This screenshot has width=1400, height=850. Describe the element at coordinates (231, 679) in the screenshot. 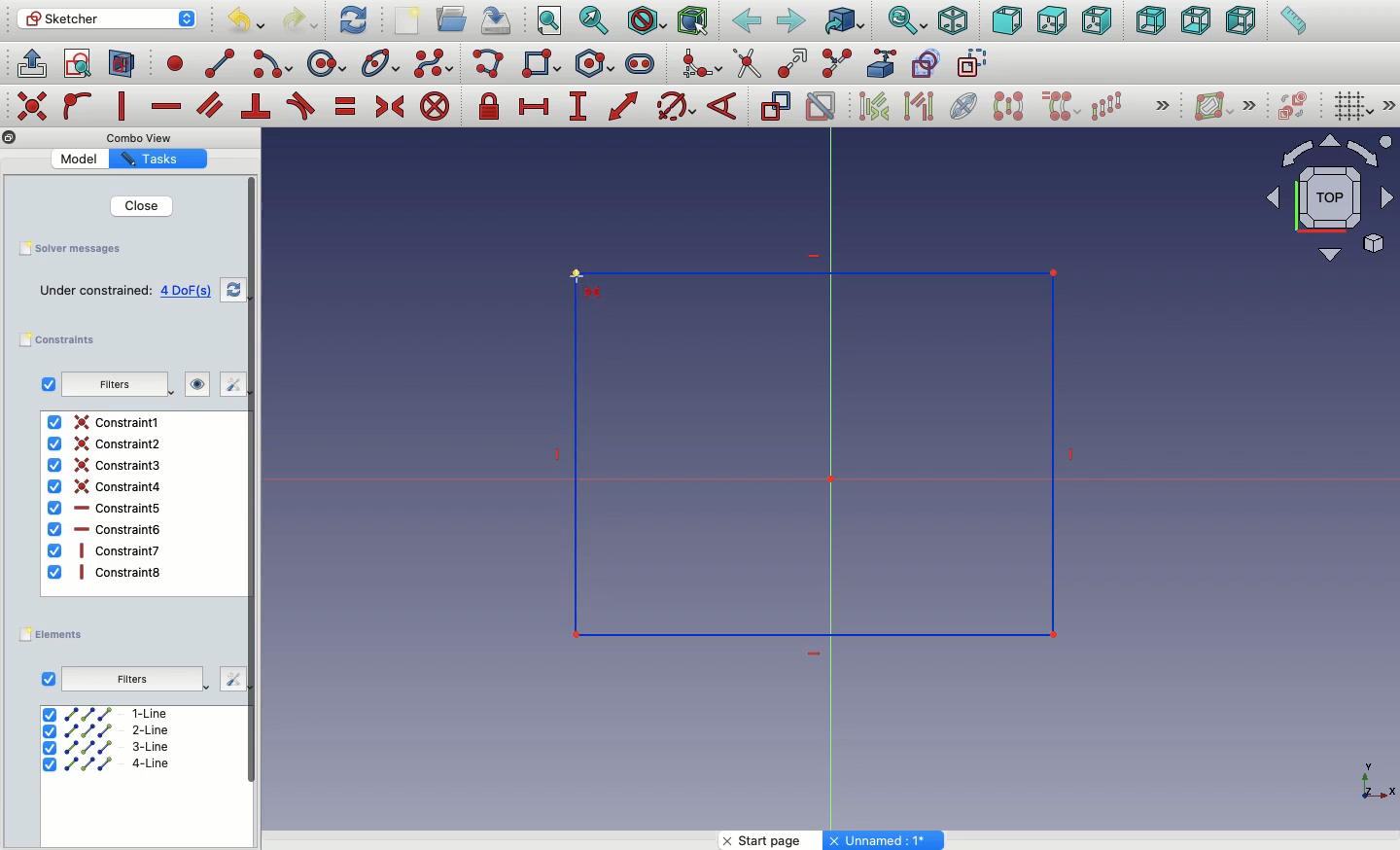

I see `edit` at that location.